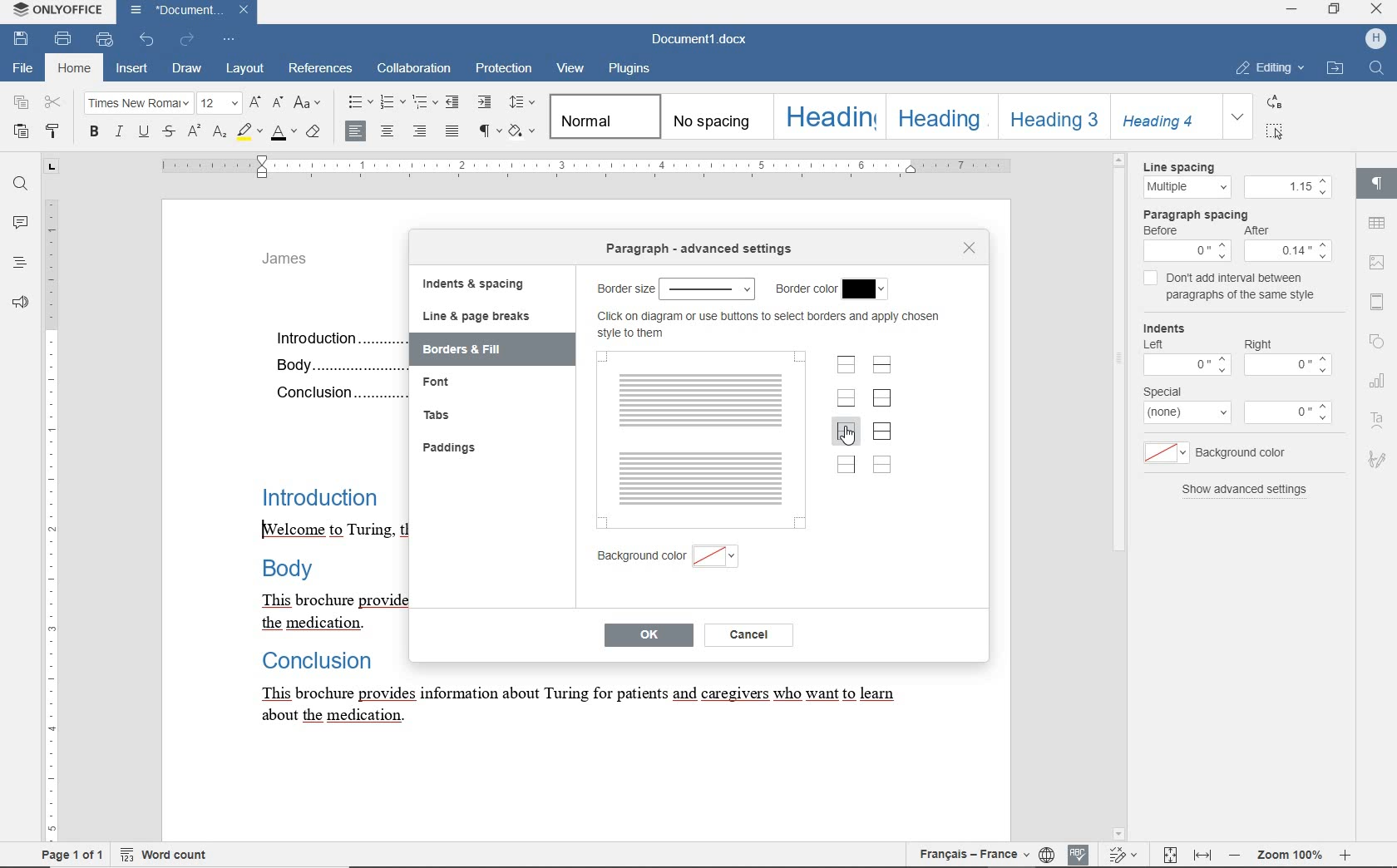  Describe the element at coordinates (20, 224) in the screenshot. I see `comments` at that location.